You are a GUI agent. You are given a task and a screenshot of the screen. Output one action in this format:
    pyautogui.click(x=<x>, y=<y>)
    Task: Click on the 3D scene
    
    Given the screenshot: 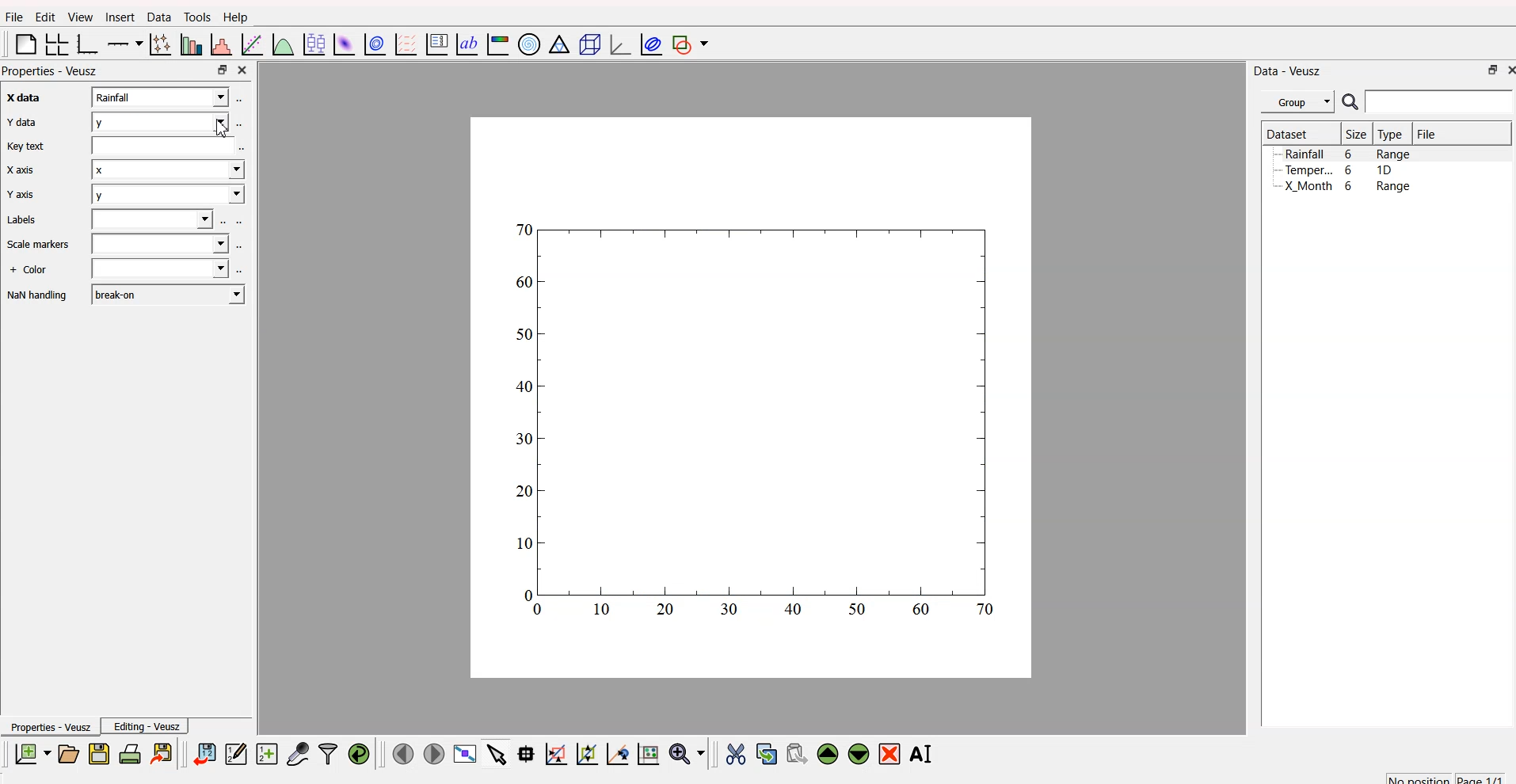 What is the action you would take?
    pyautogui.click(x=586, y=44)
    